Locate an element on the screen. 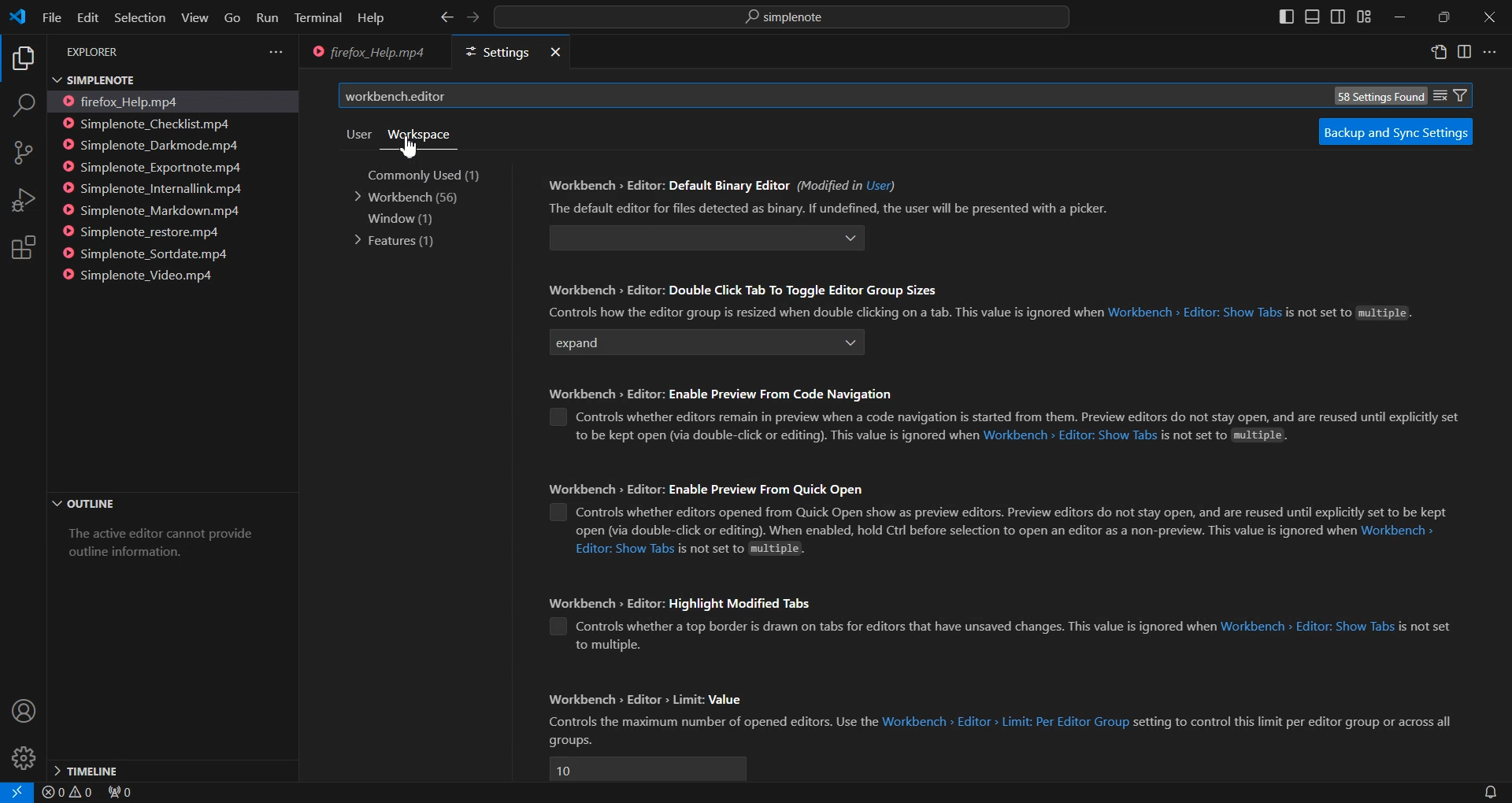 This screenshot has height=803, width=1512. Go forward is located at coordinates (472, 18).